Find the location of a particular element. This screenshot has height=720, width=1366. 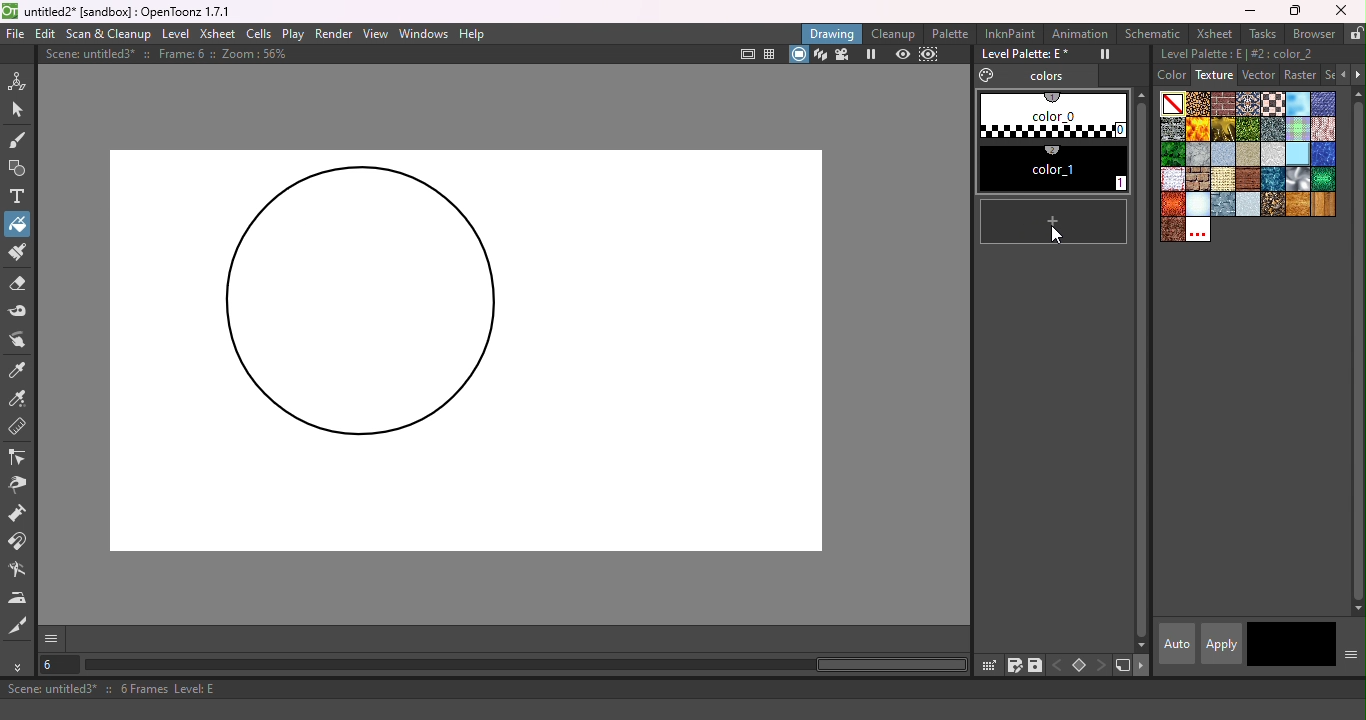

Blender tool is located at coordinates (20, 571).